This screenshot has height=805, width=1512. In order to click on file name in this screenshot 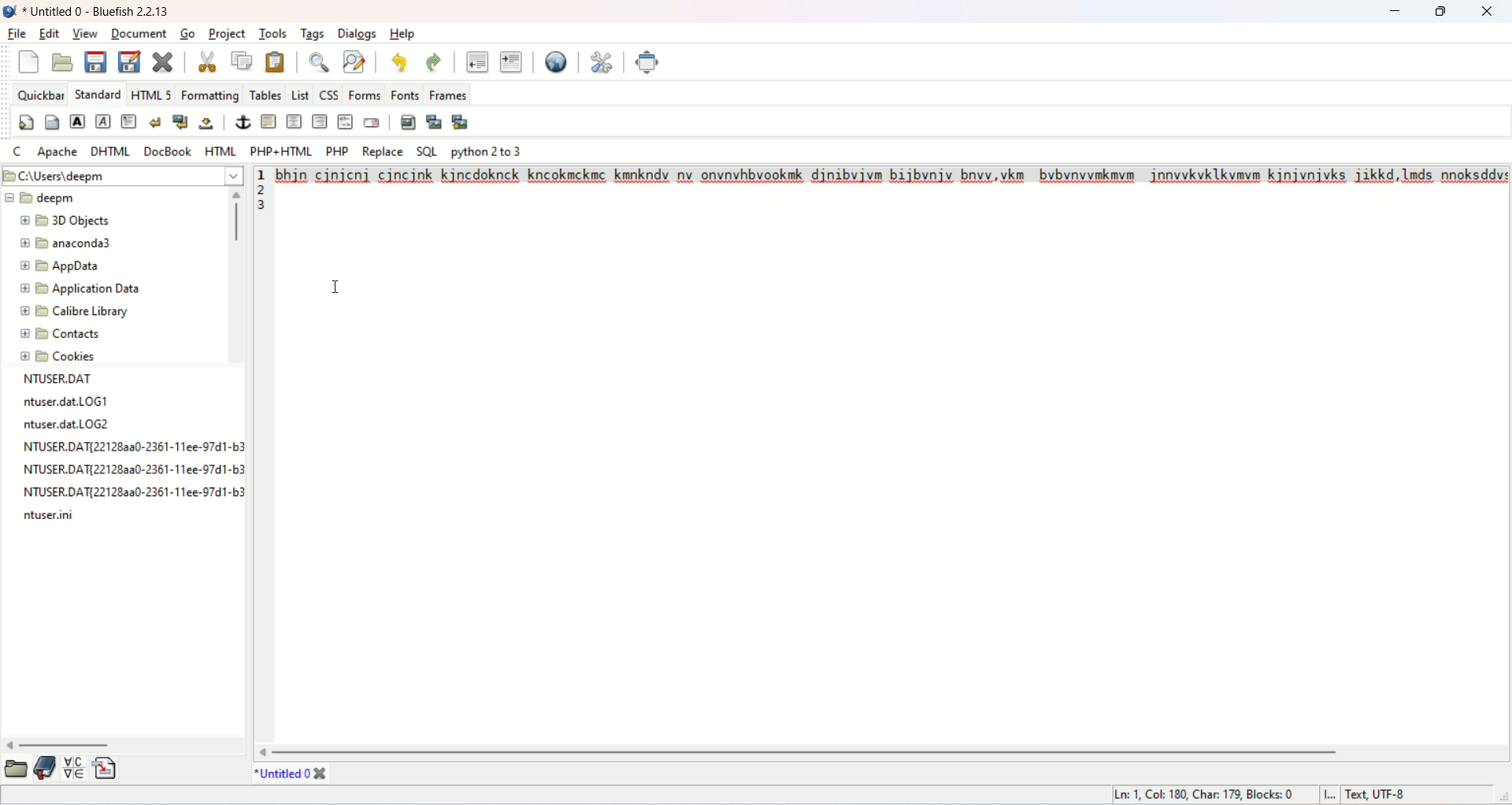, I will do `click(131, 491)`.